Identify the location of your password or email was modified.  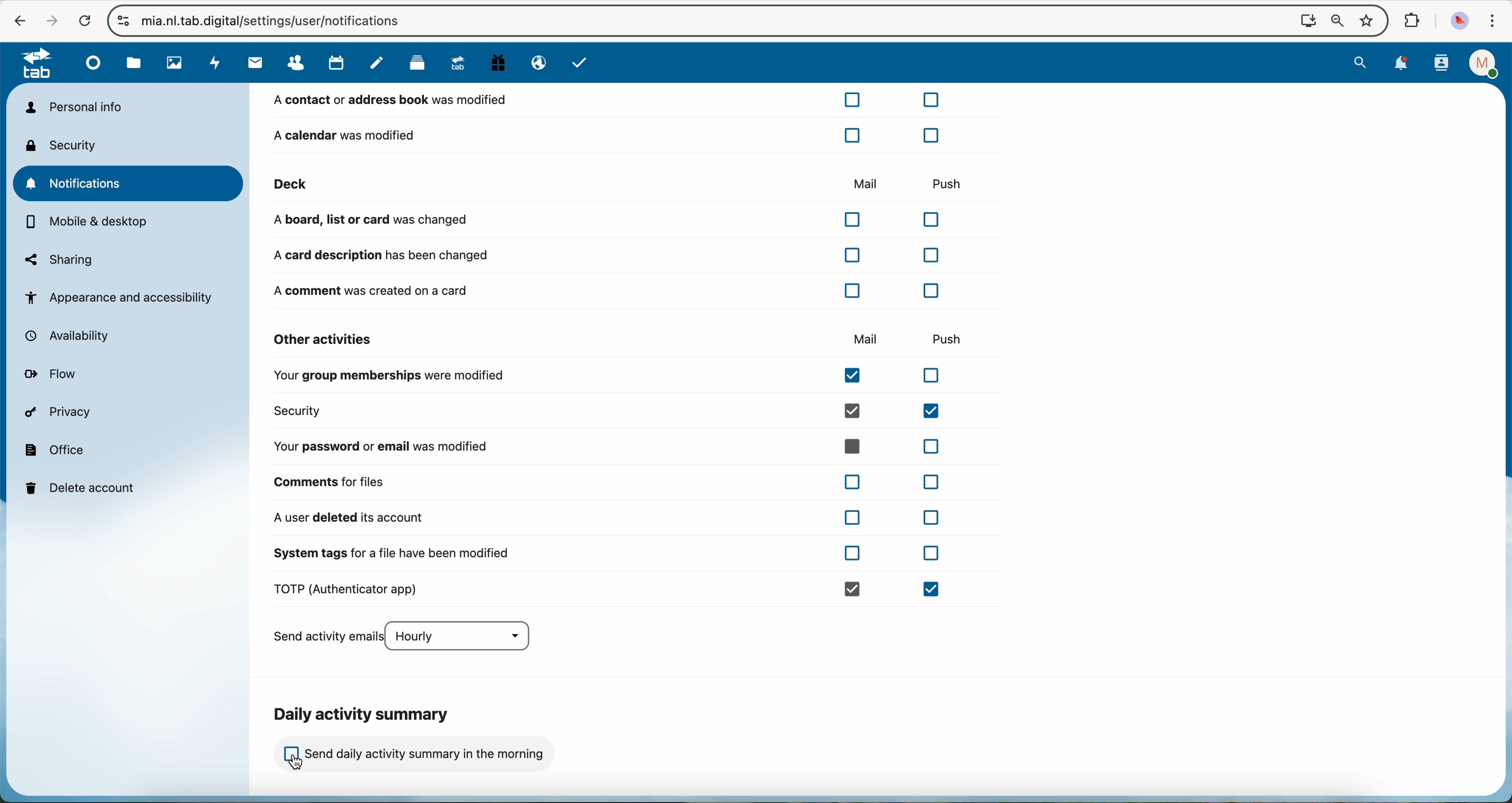
(612, 446).